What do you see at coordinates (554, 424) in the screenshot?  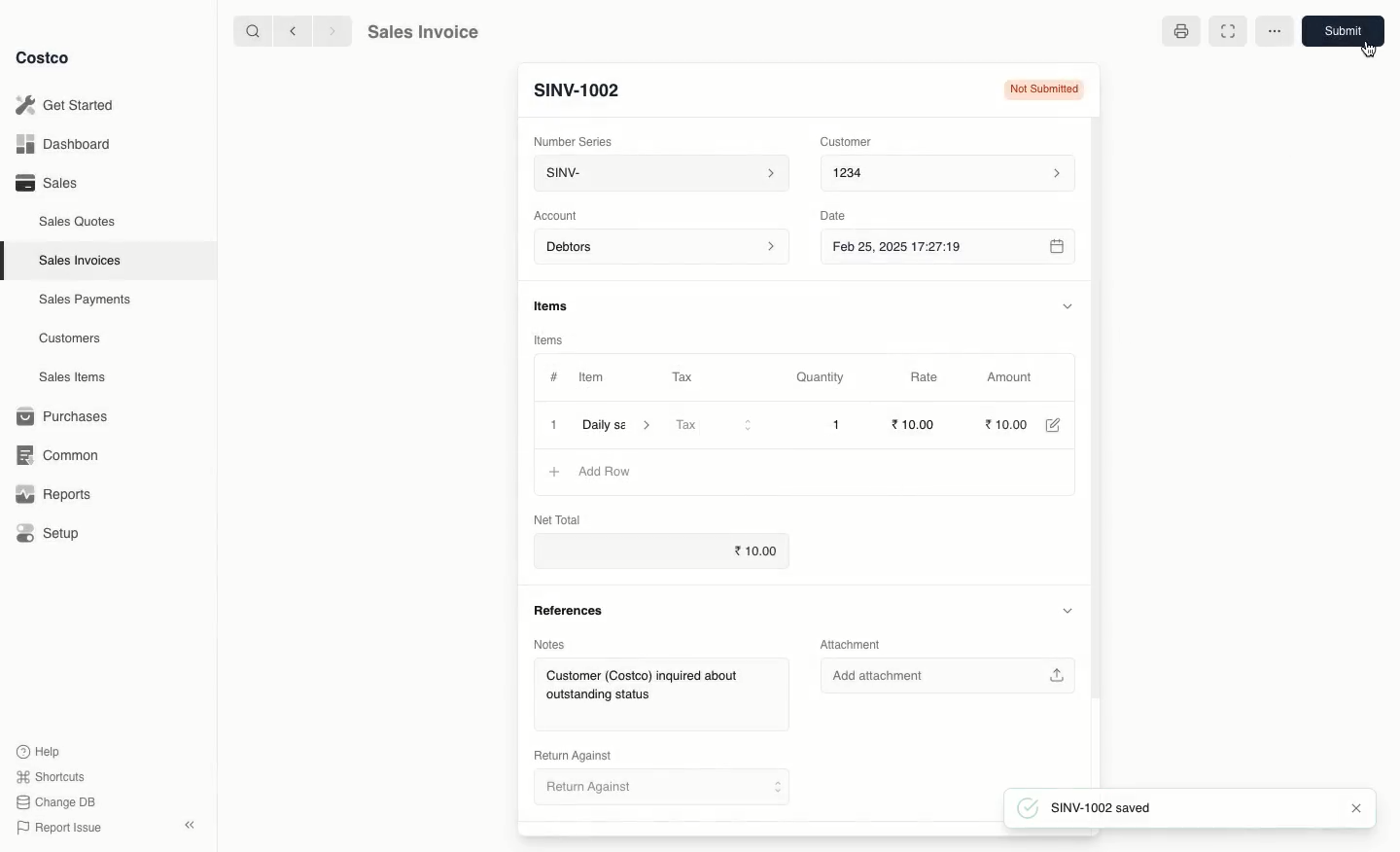 I see `1` at bounding box center [554, 424].